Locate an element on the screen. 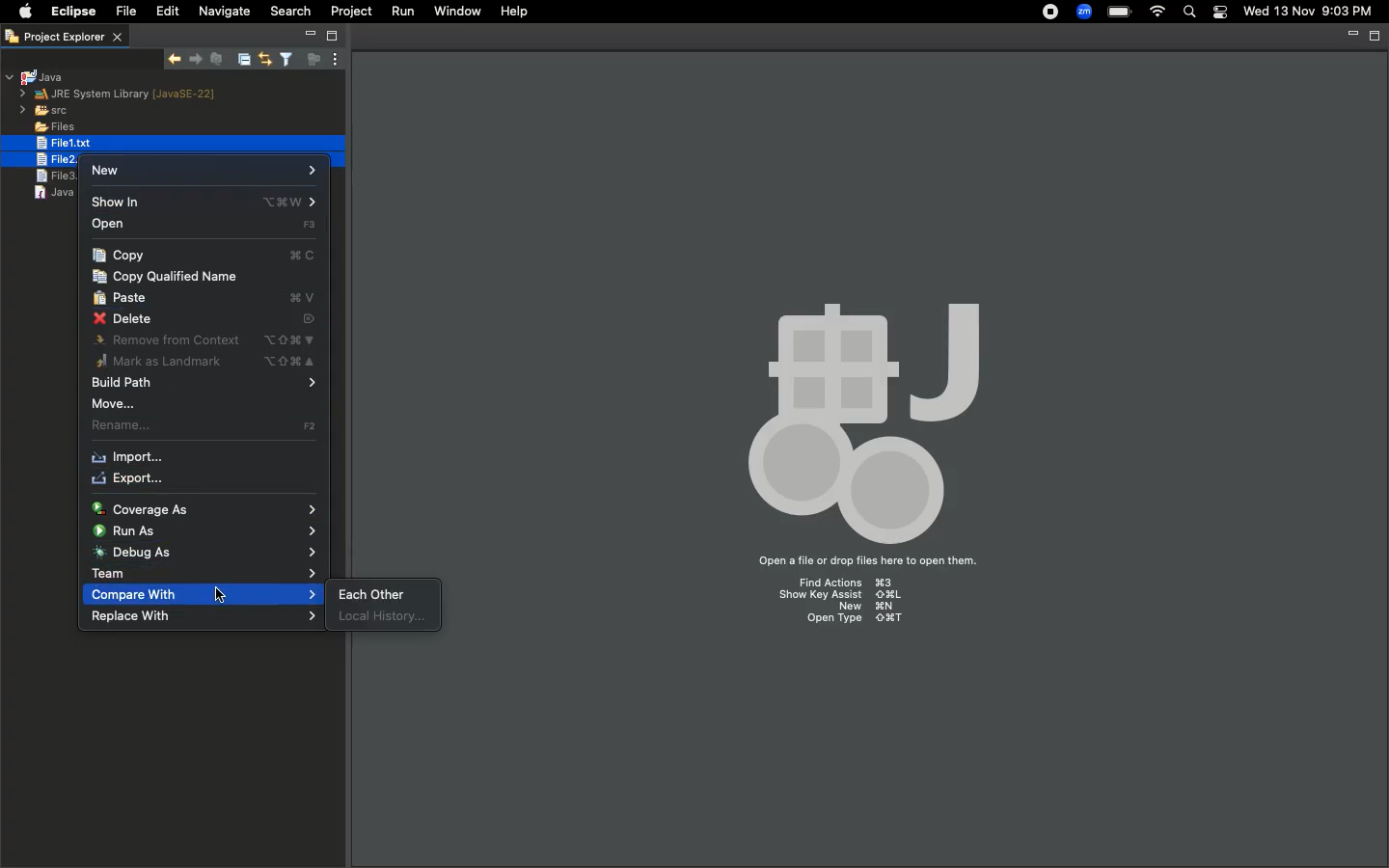 Image resolution: width=1389 pixels, height=868 pixels. Open type is located at coordinates (848, 622).